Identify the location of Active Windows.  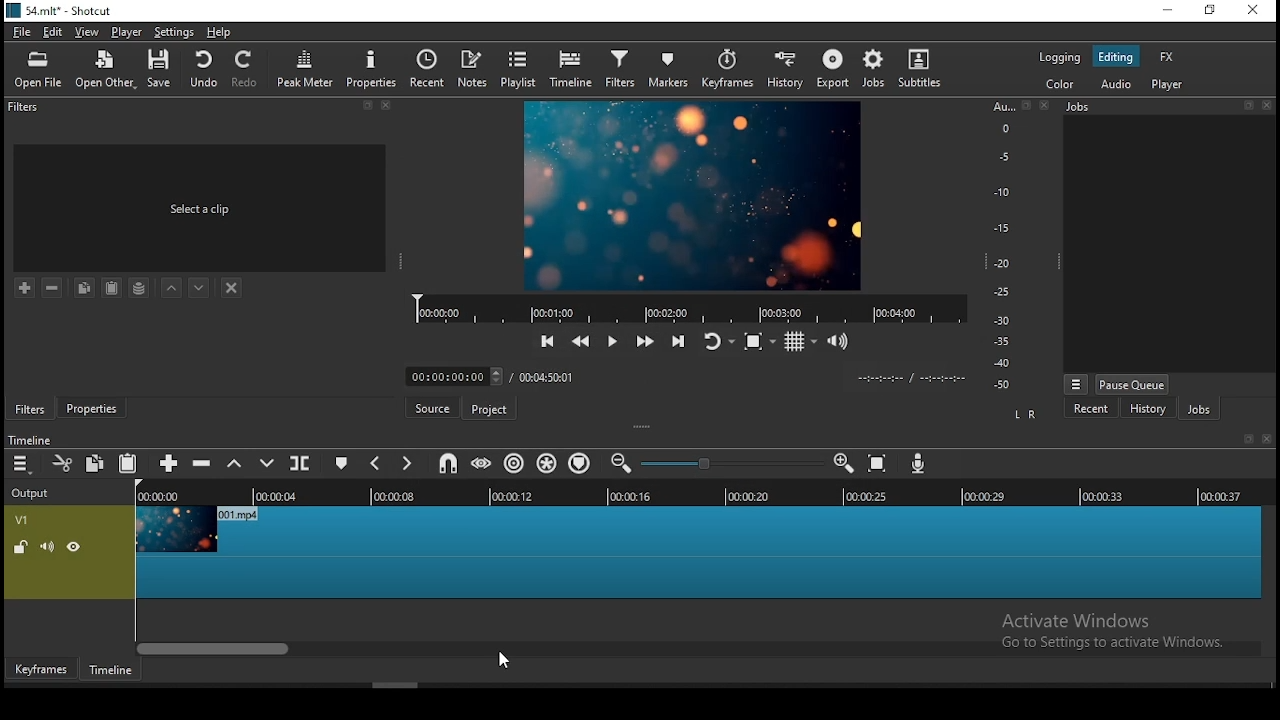
(1084, 620).